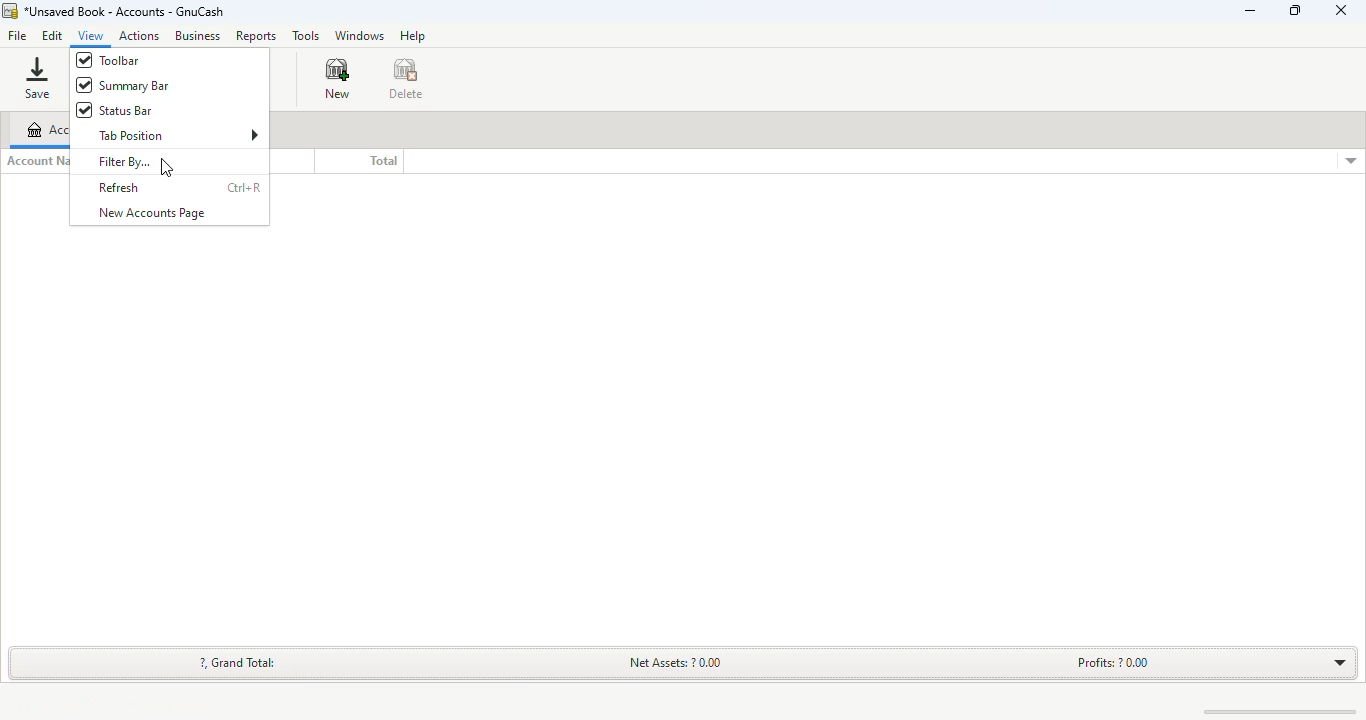 This screenshot has height=720, width=1366. Describe the element at coordinates (139, 35) in the screenshot. I see `actions` at that location.